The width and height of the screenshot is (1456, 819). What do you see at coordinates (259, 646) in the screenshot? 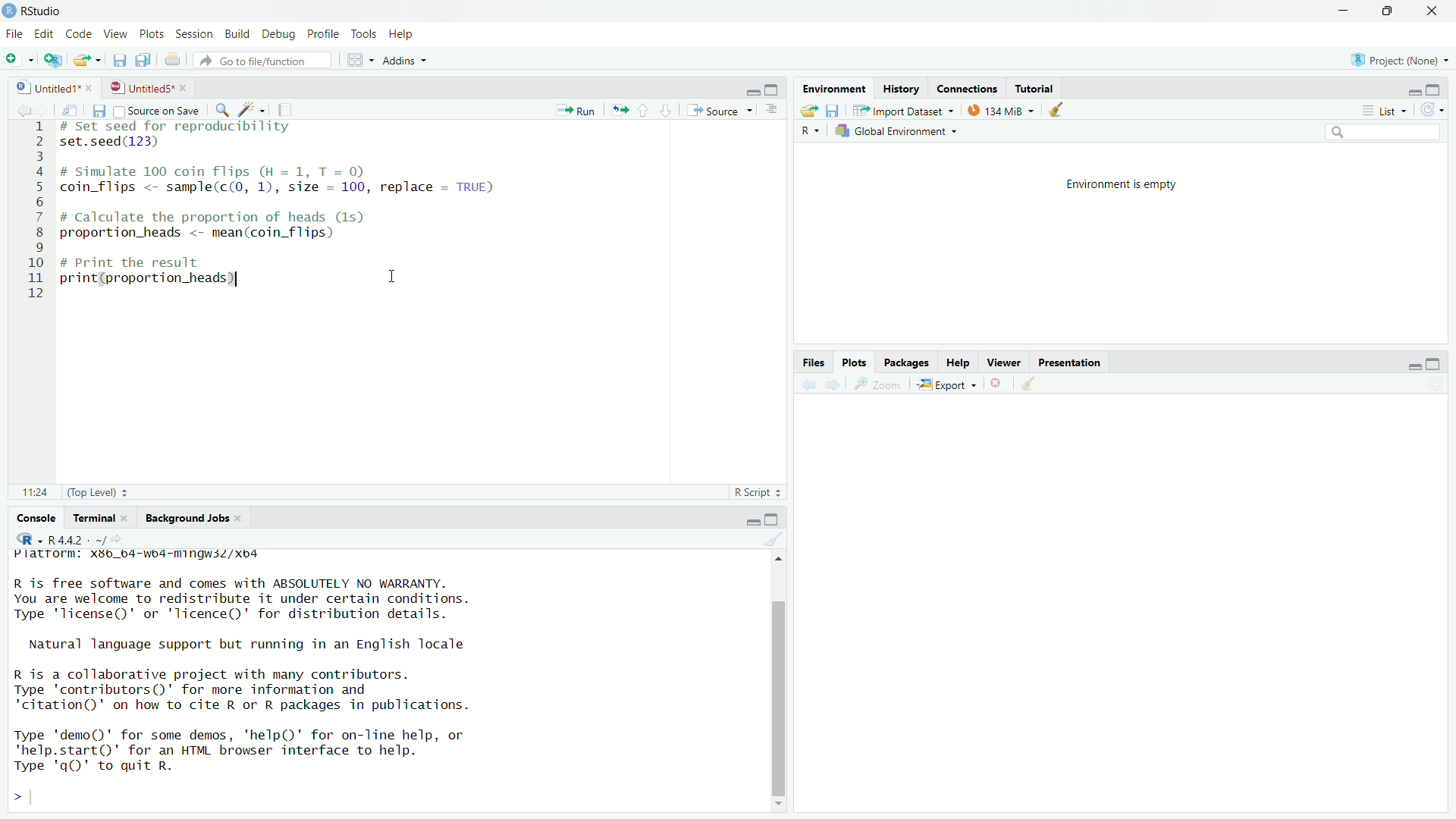
I see `Natural language support but running in an English locale` at bounding box center [259, 646].